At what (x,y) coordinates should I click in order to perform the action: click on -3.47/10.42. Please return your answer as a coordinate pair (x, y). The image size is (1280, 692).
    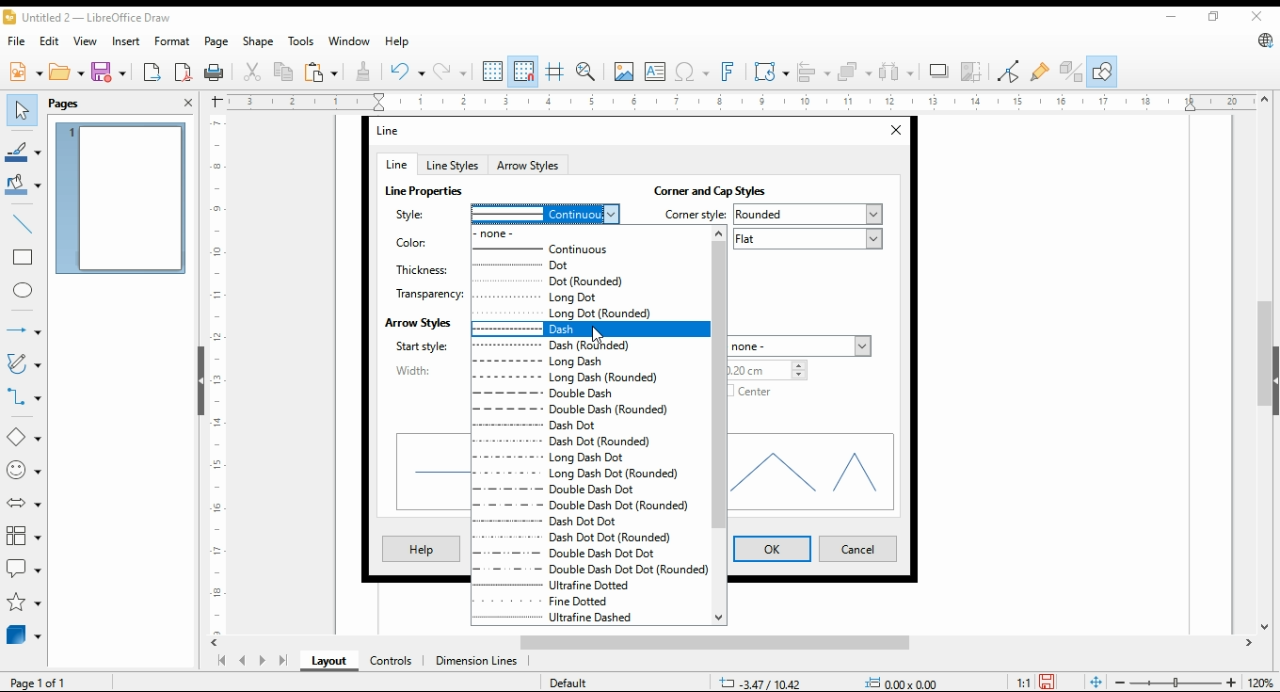
    Looking at the image, I should click on (760, 683).